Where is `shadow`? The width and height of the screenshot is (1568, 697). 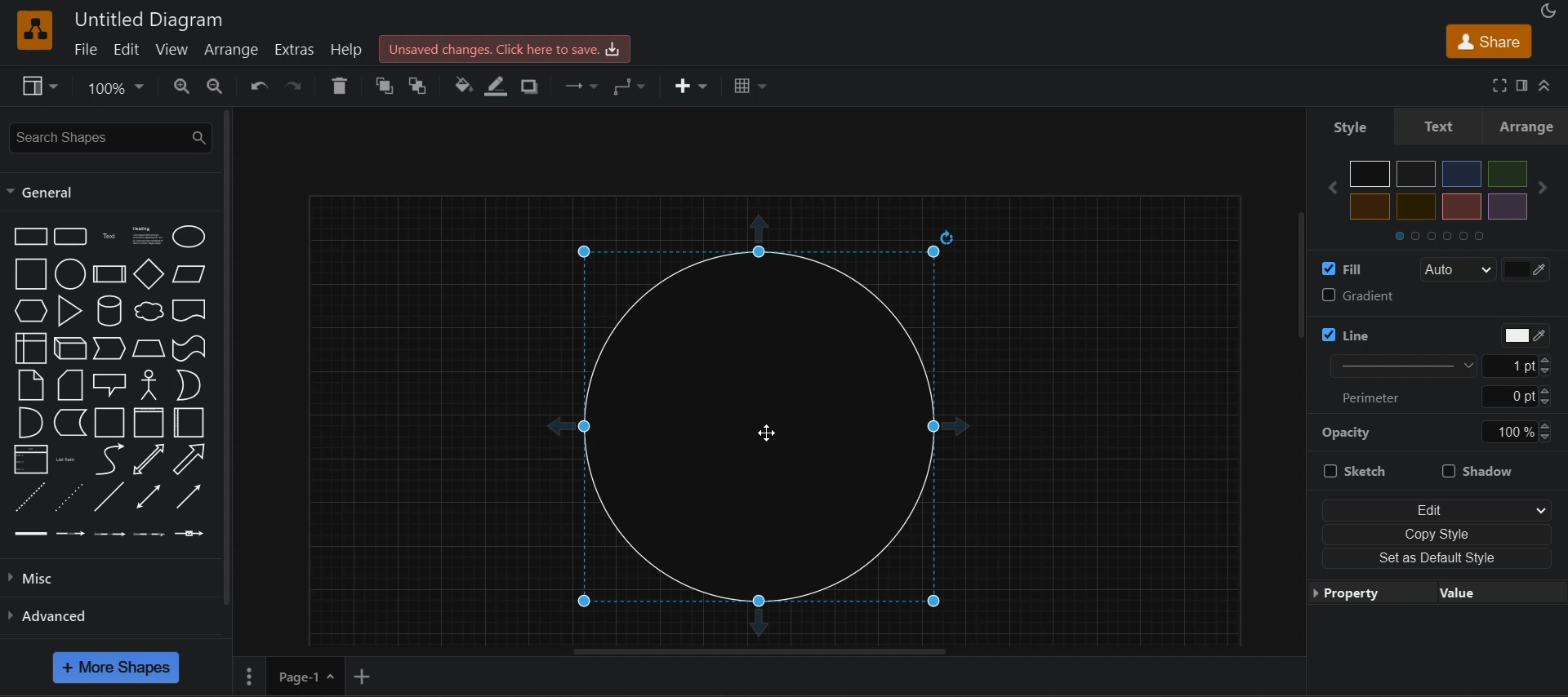 shadow is located at coordinates (535, 86).